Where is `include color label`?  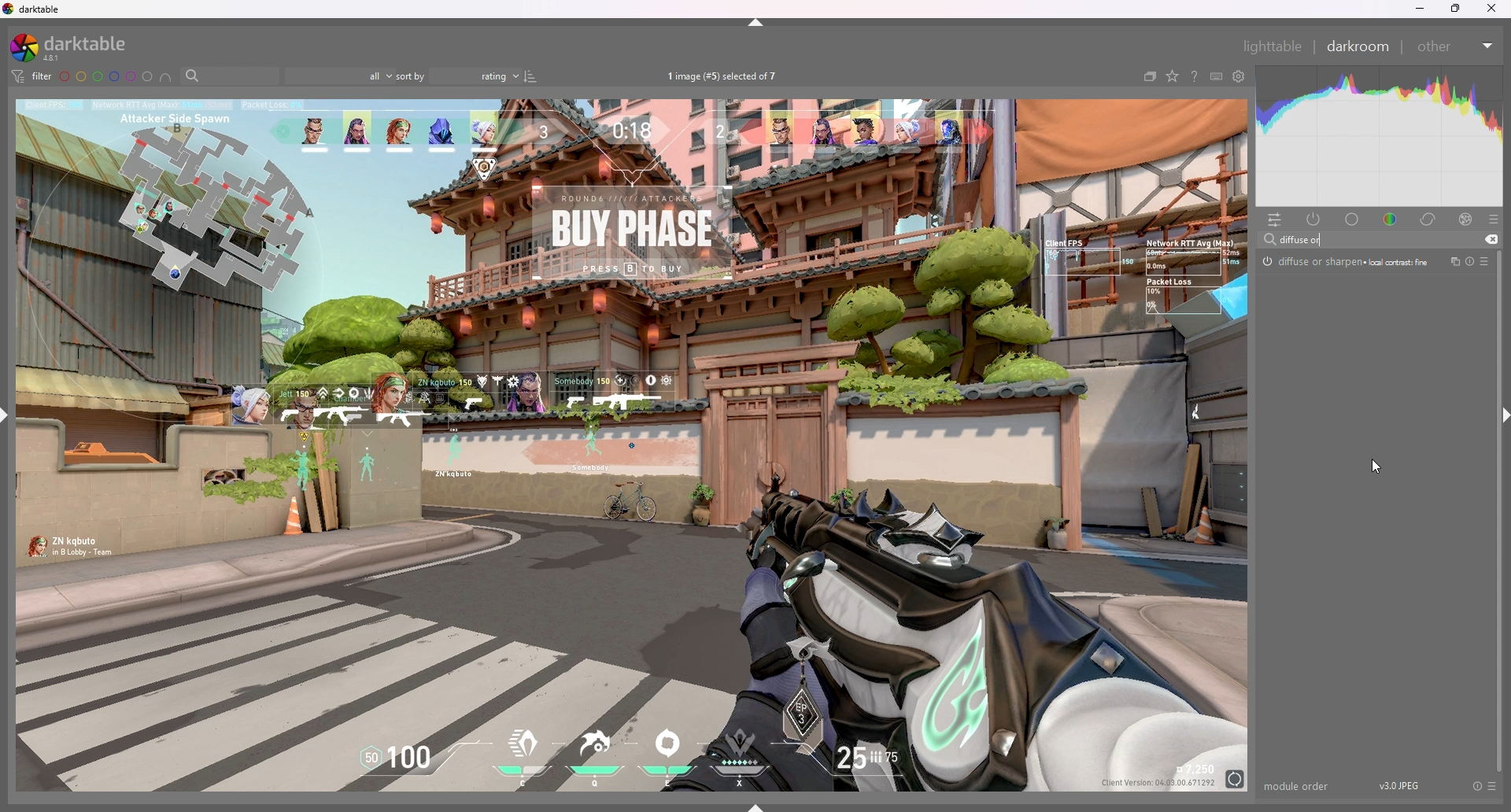 include color label is located at coordinates (166, 77).